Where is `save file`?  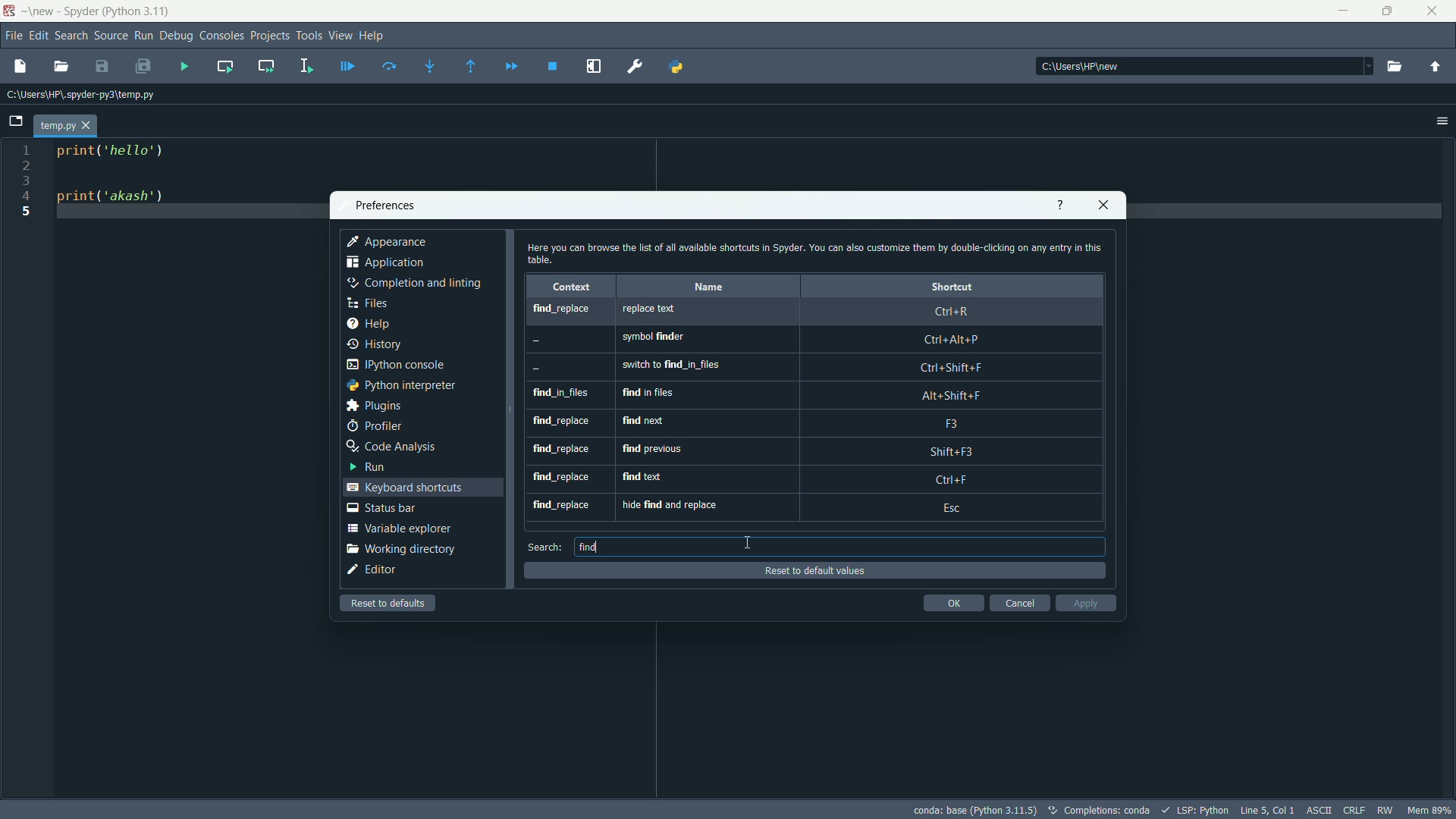
save file is located at coordinates (102, 67).